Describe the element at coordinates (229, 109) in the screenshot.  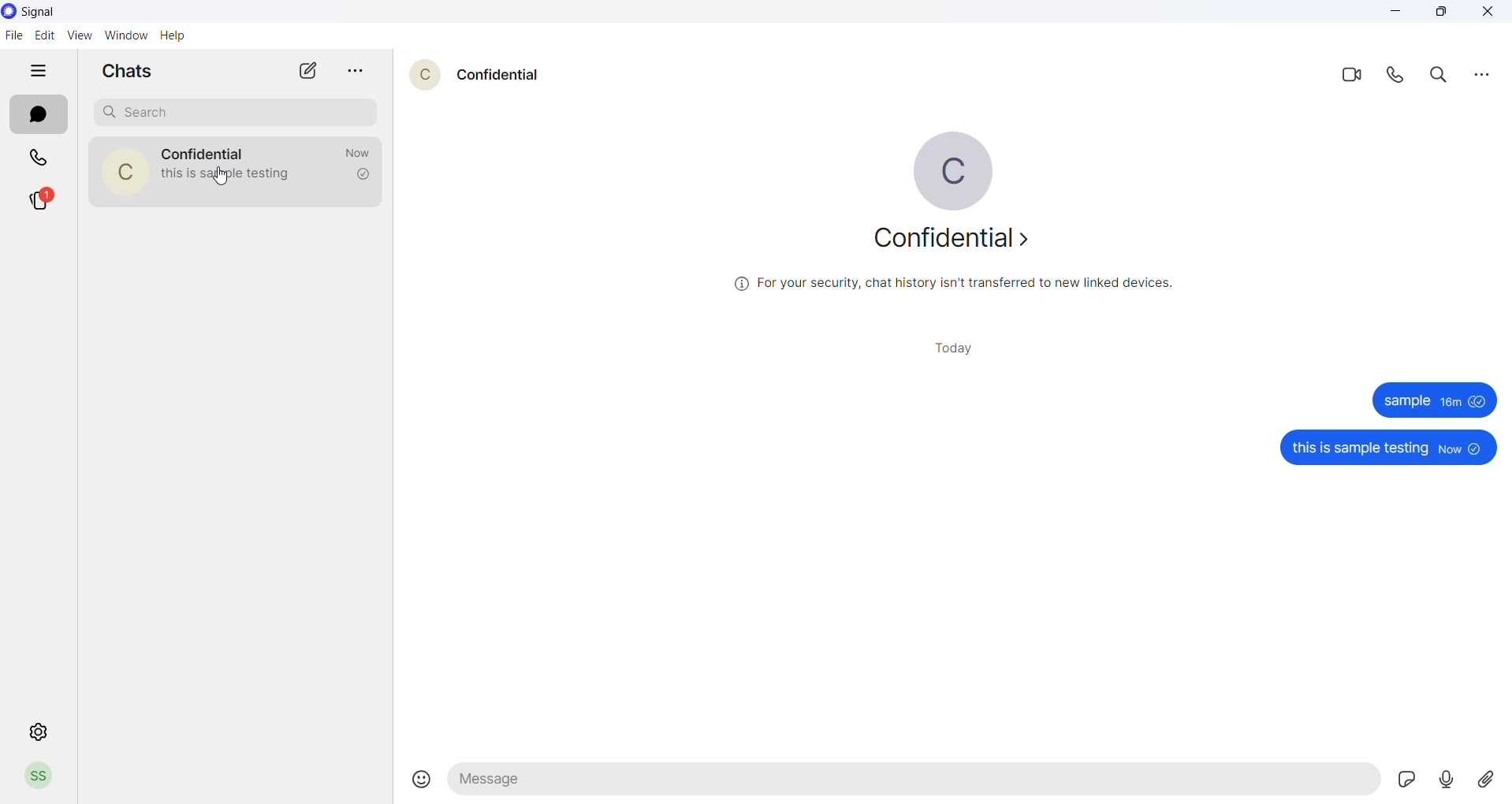
I see `search ` at that location.